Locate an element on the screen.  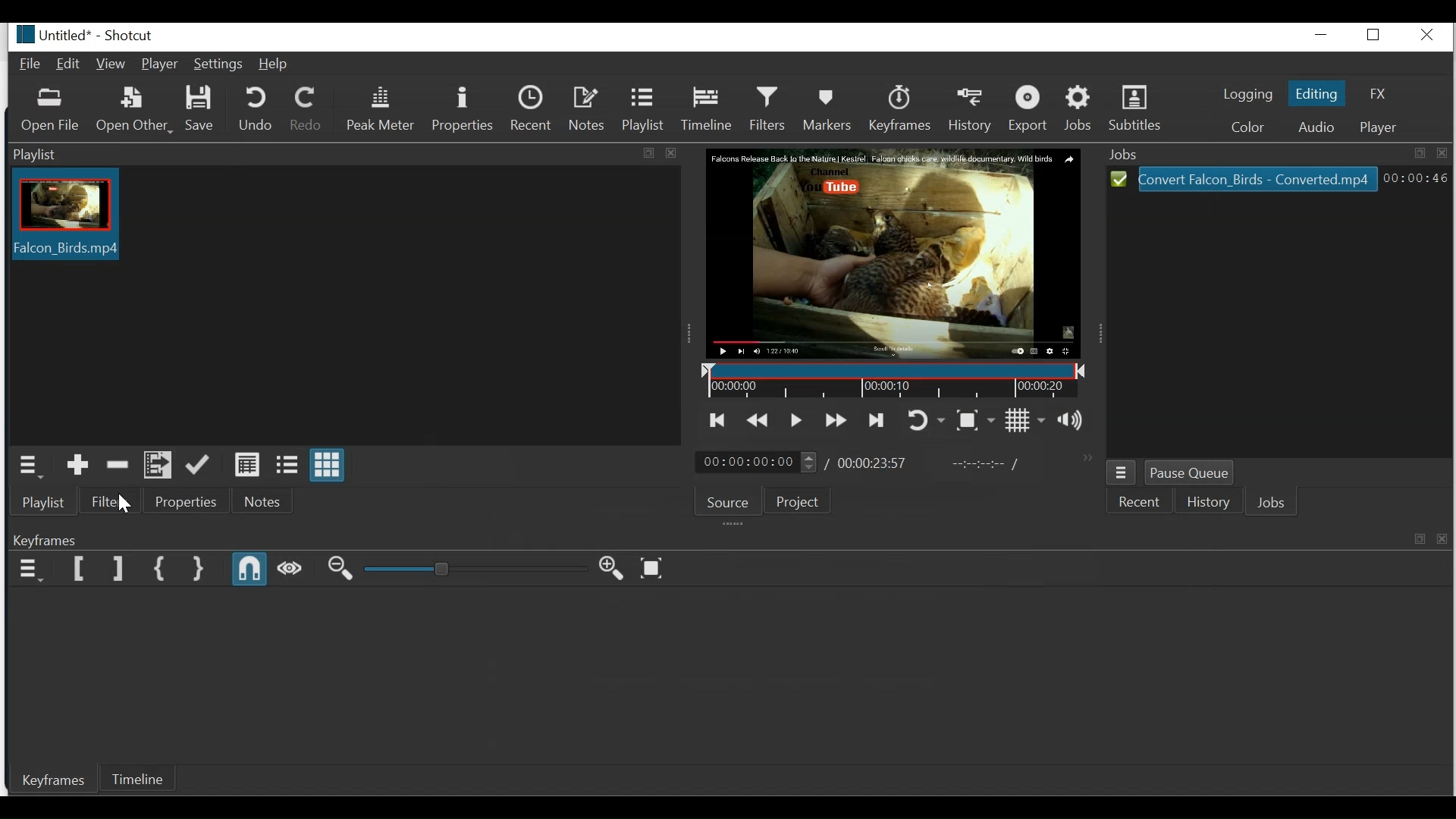
Snap is located at coordinates (247, 570).